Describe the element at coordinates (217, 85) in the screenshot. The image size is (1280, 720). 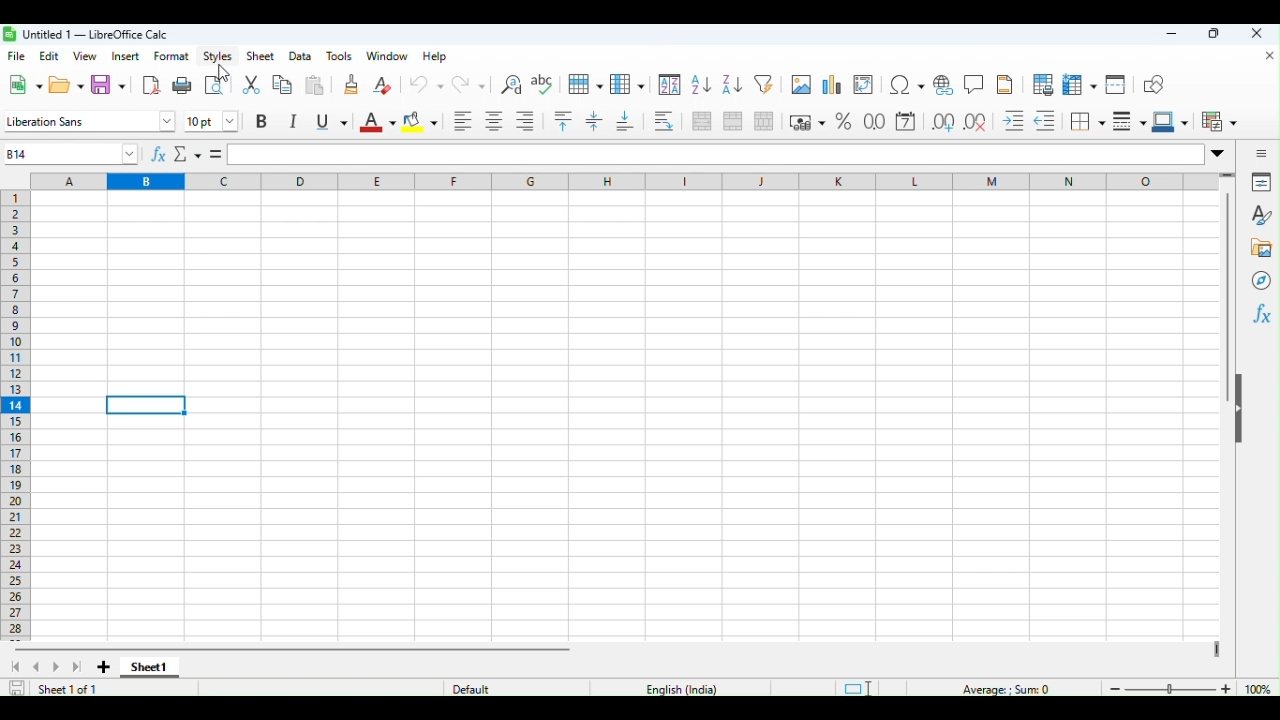
I see `find` at that location.